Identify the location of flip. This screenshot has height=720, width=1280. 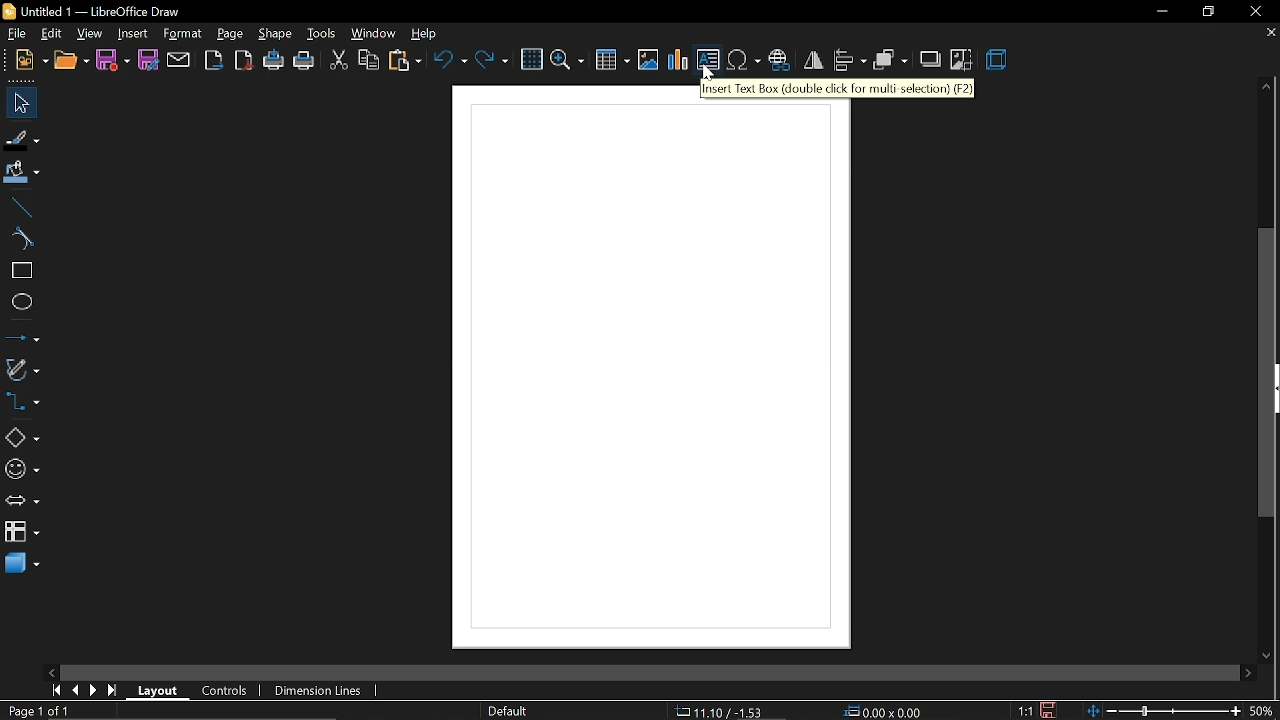
(813, 60).